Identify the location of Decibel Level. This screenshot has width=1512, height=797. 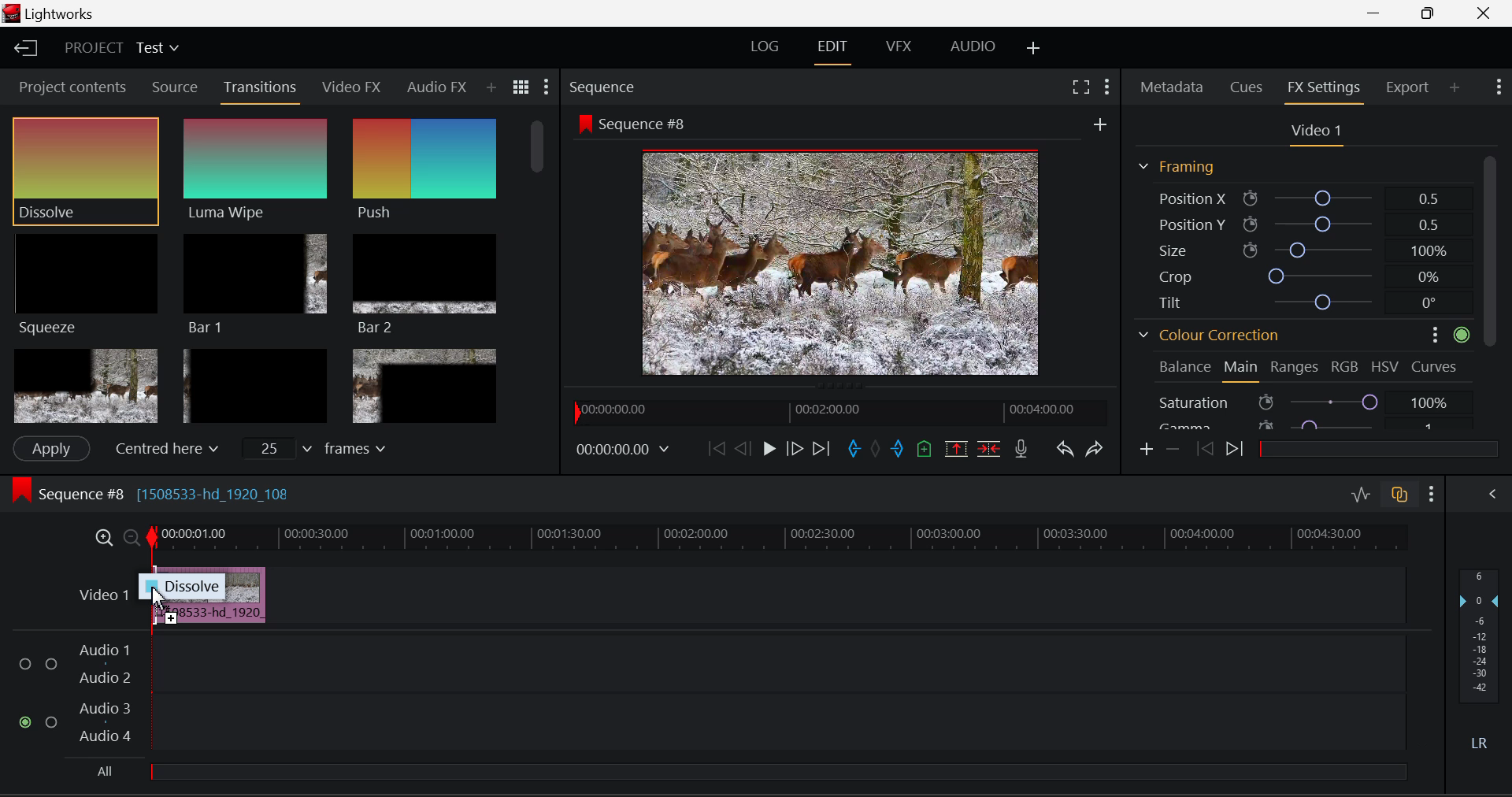
(1484, 662).